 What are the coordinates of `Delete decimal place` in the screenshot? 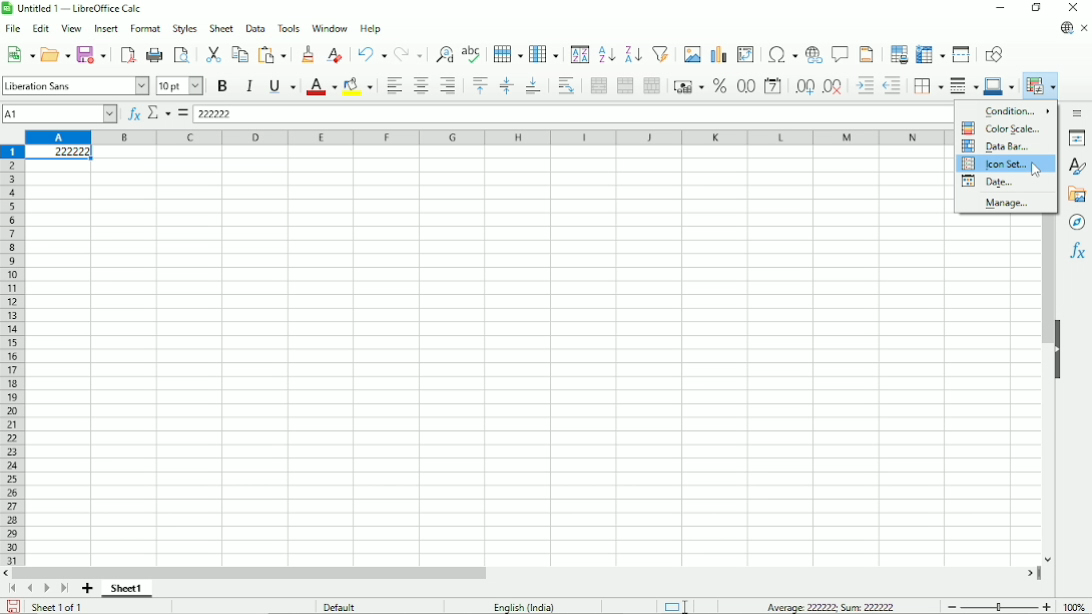 It's located at (834, 87).